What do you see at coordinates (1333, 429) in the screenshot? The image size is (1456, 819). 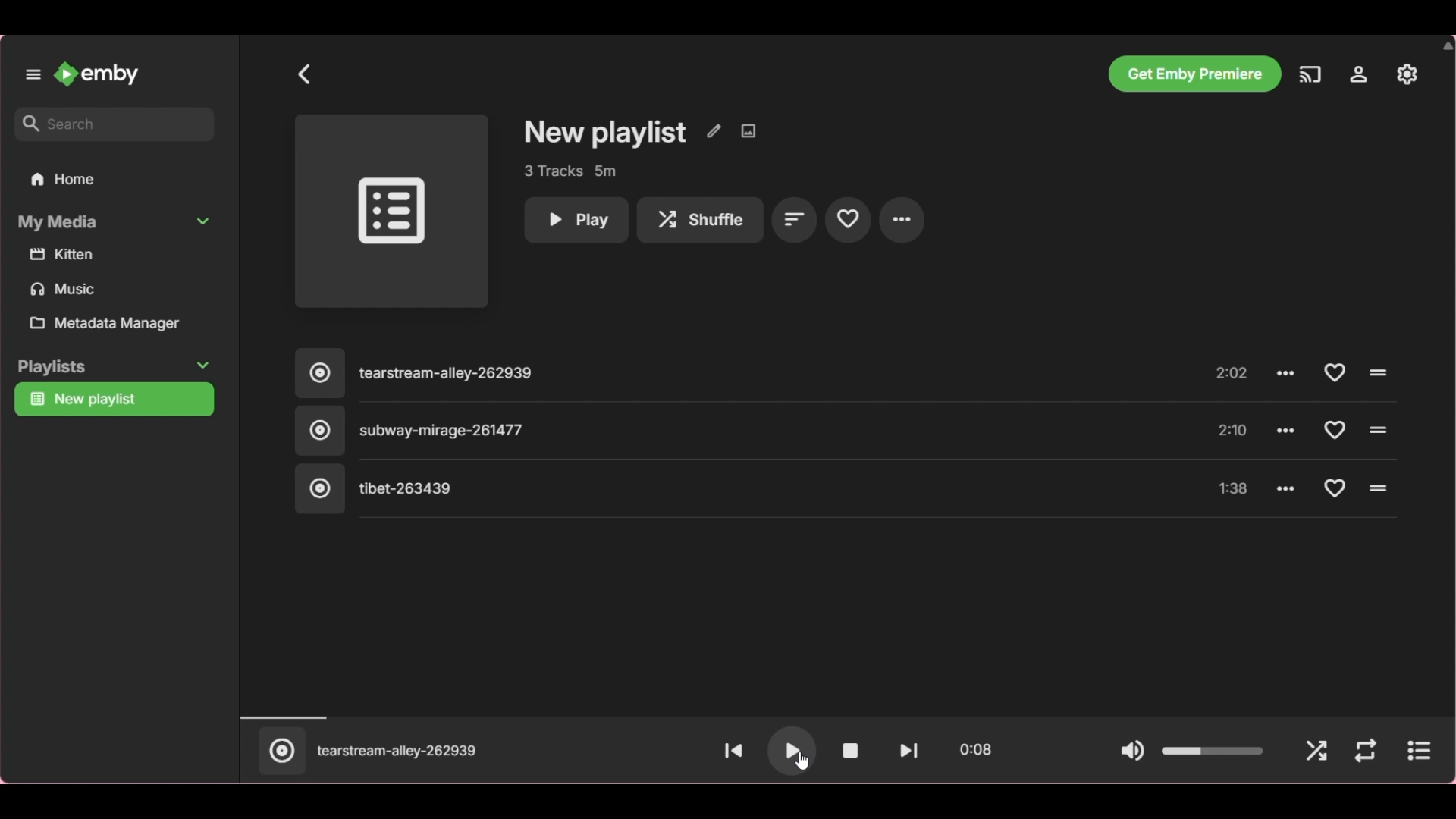 I see `Add respective song to favorites` at bounding box center [1333, 429].